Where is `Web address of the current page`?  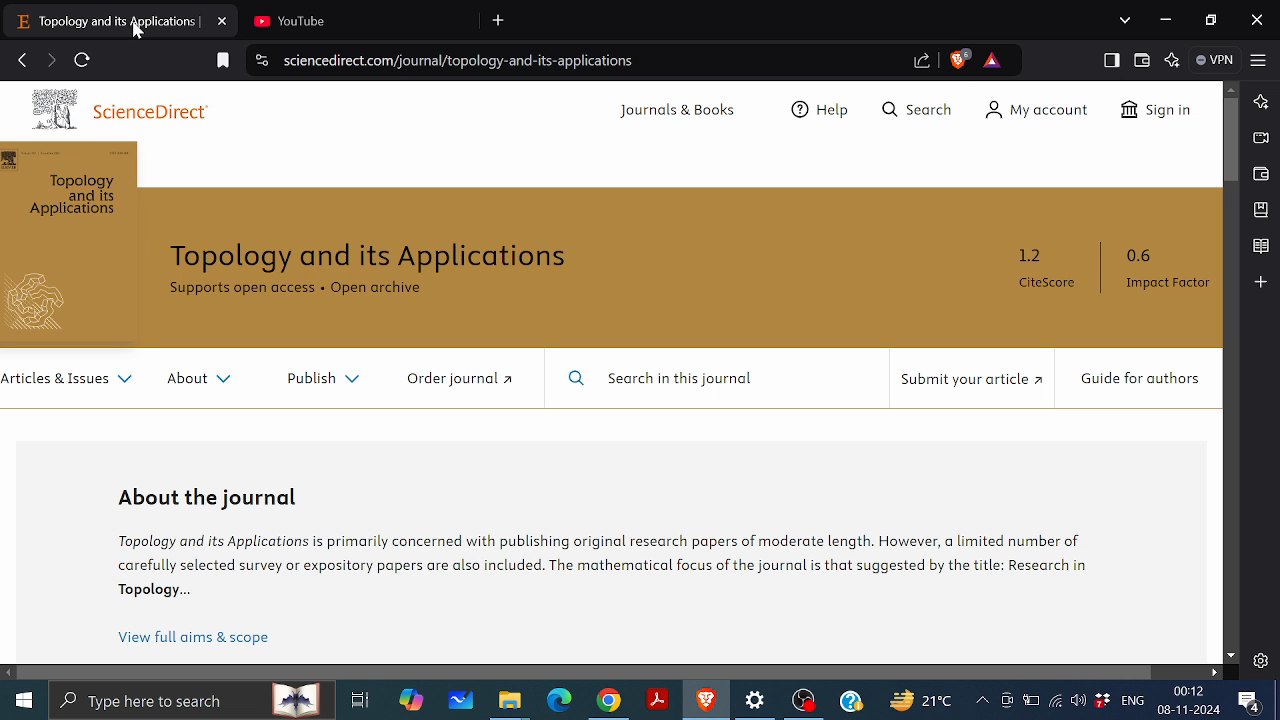
Web address of the current page is located at coordinates (465, 61).